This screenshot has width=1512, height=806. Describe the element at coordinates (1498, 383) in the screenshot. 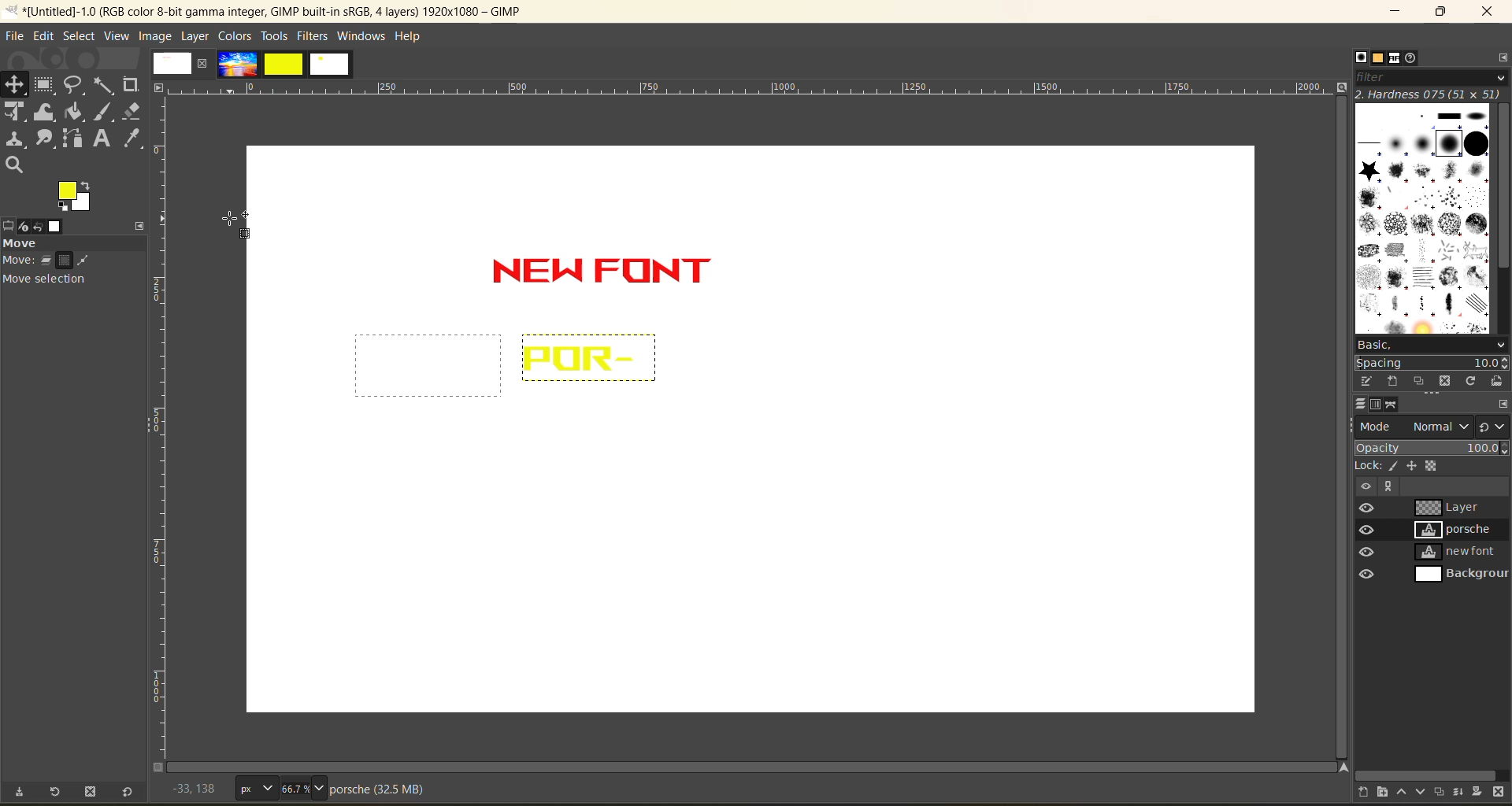

I see `open brush as image` at that location.